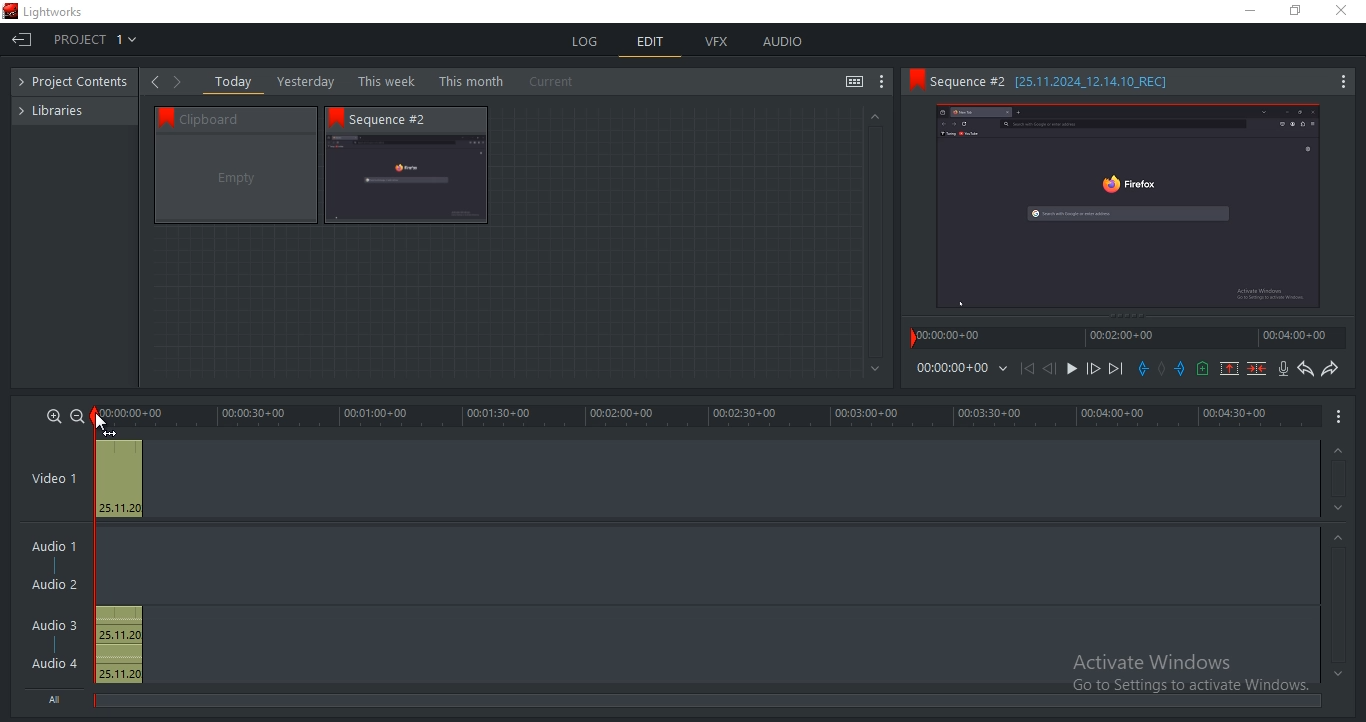 This screenshot has width=1366, height=722. I want to click on Nudge one frame back, so click(1053, 371).